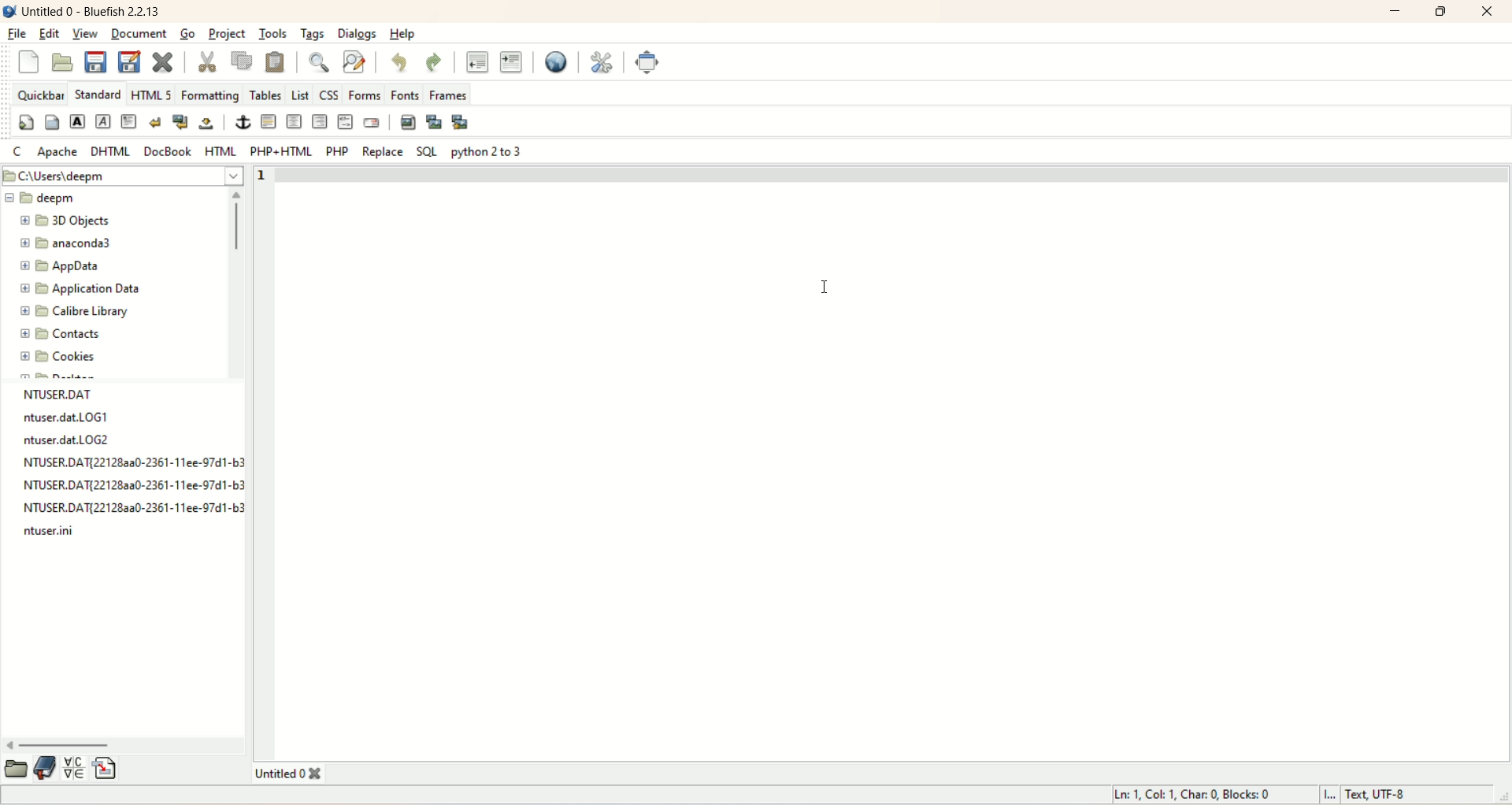 Image resolution: width=1512 pixels, height=805 pixels. I want to click on application data, so click(82, 291).